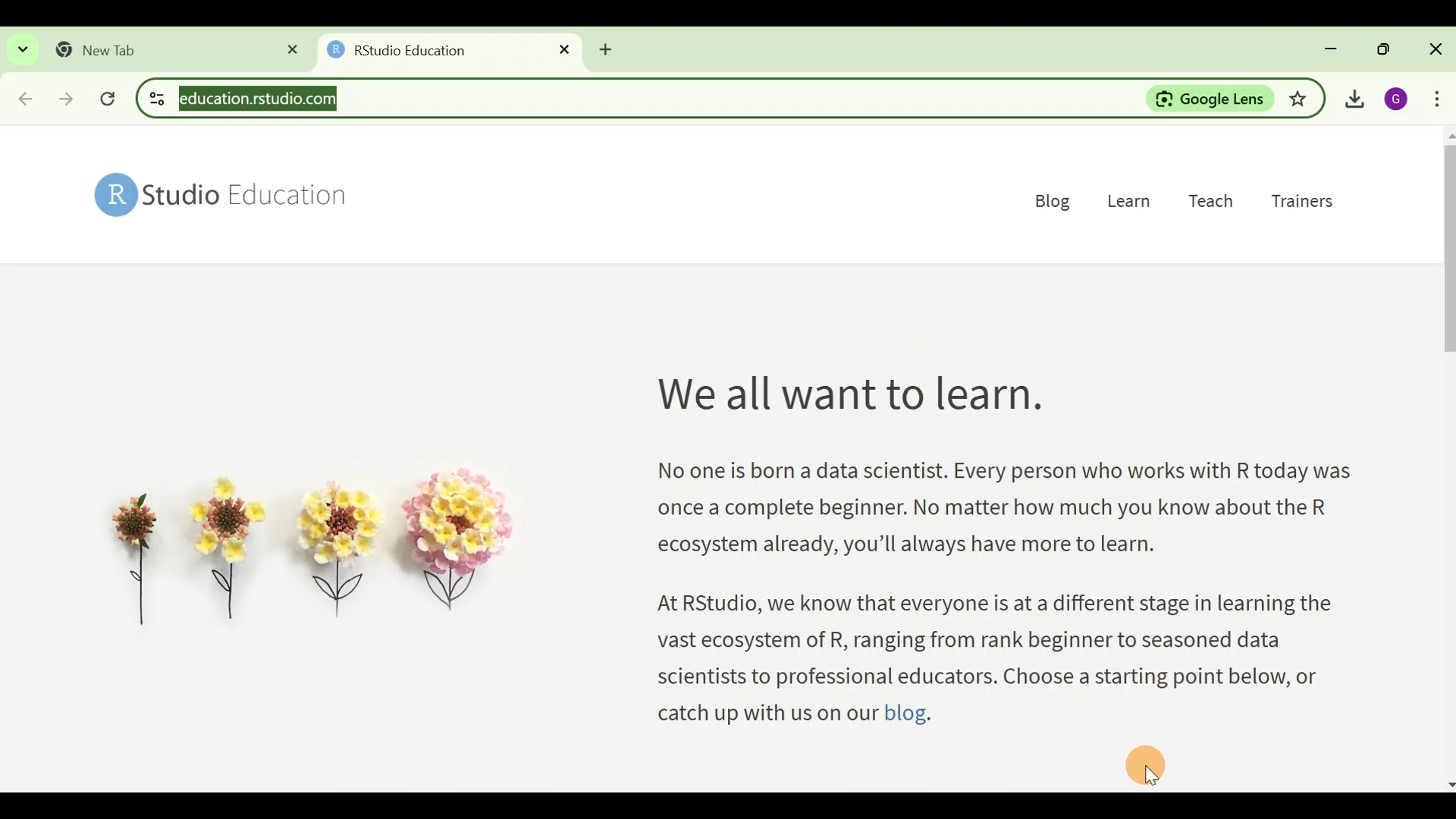 The image size is (1456, 819). What do you see at coordinates (405, 50) in the screenshot?
I see `RStudio Education` at bounding box center [405, 50].